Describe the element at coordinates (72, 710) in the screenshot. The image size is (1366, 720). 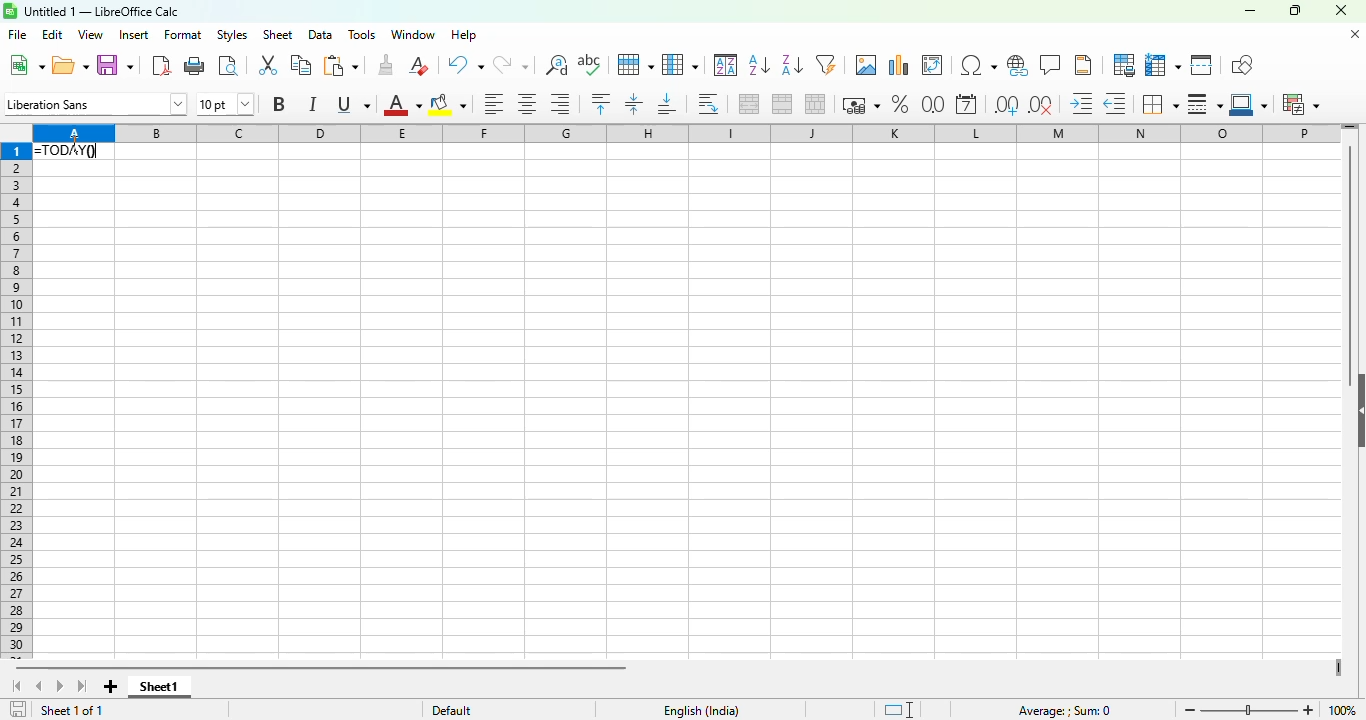
I see `sheet 1 of 1` at that location.